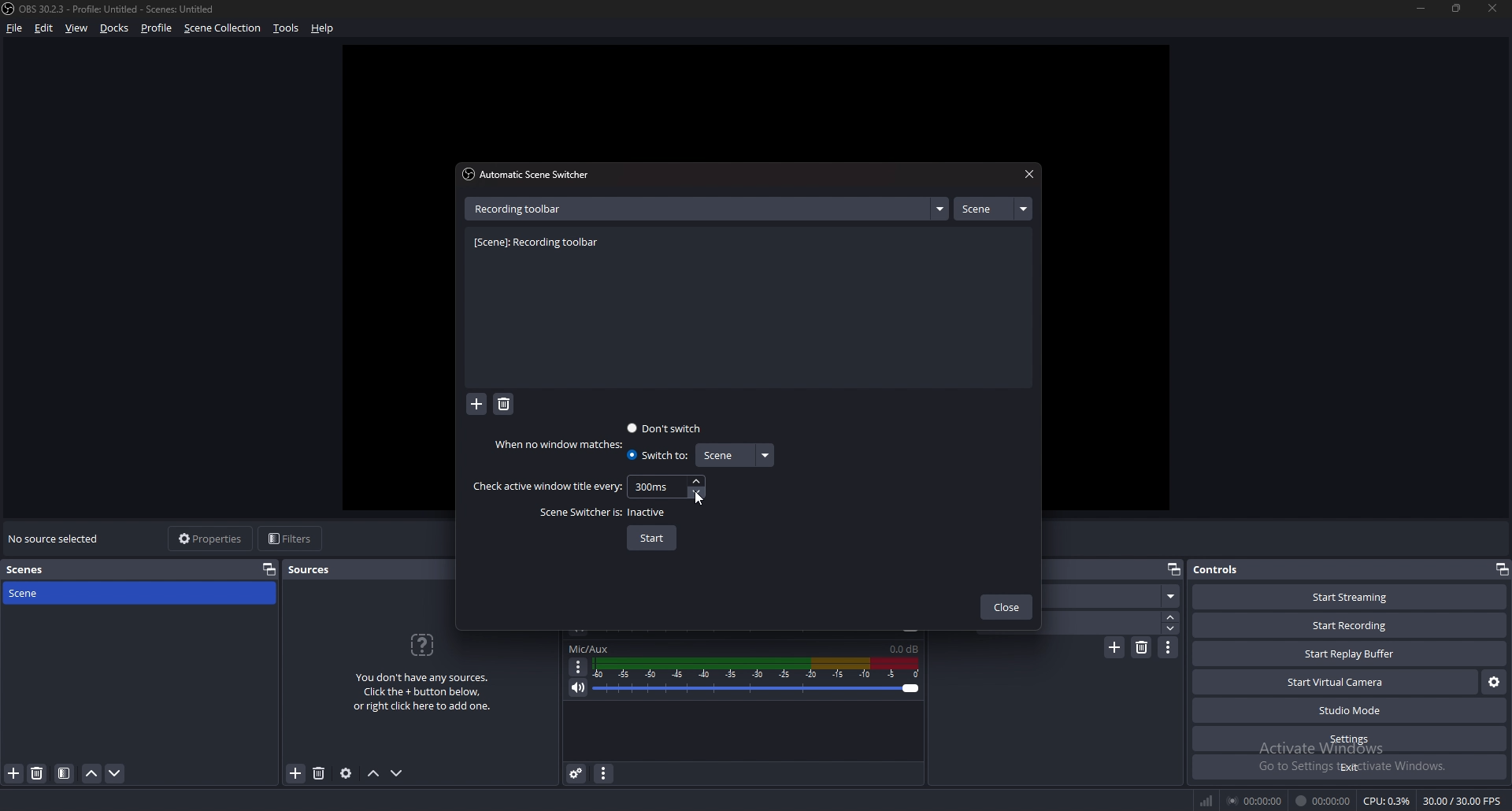 This screenshot has width=1512, height=811. What do you see at coordinates (346, 772) in the screenshot?
I see `source properties` at bounding box center [346, 772].